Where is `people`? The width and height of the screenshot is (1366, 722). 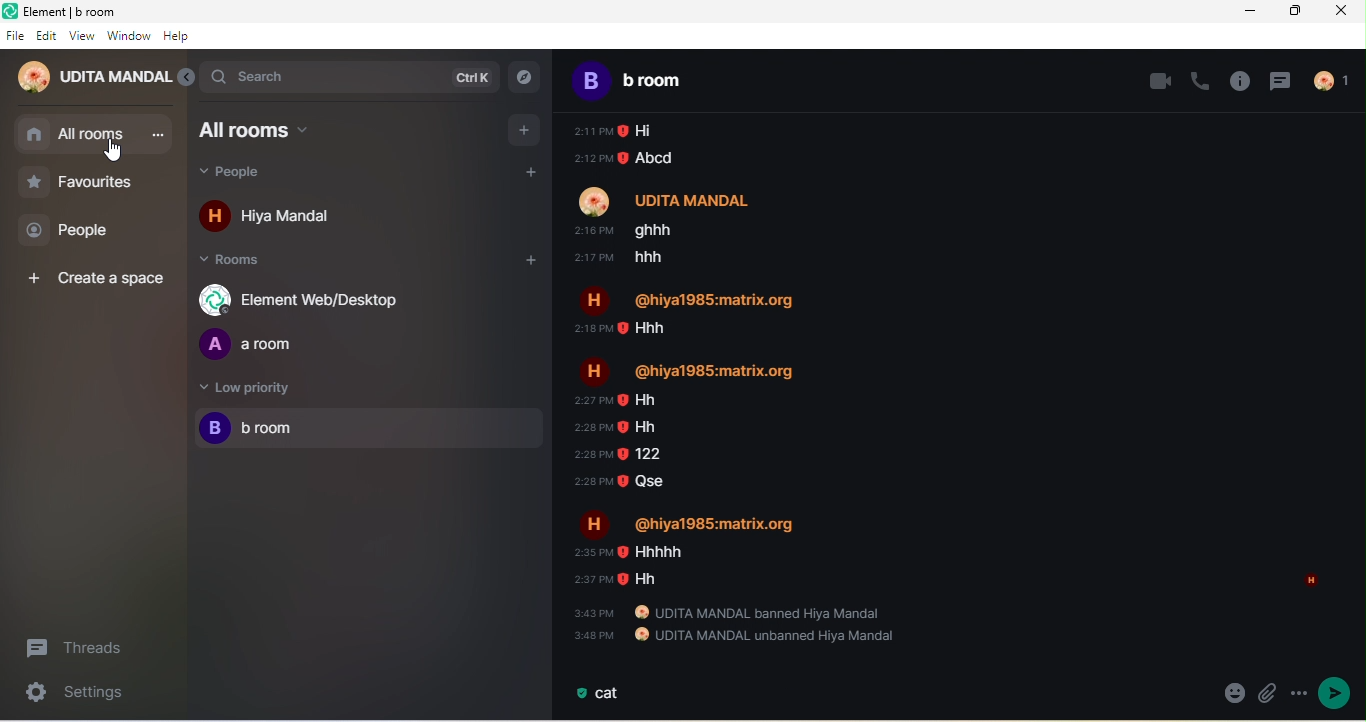
people is located at coordinates (78, 231).